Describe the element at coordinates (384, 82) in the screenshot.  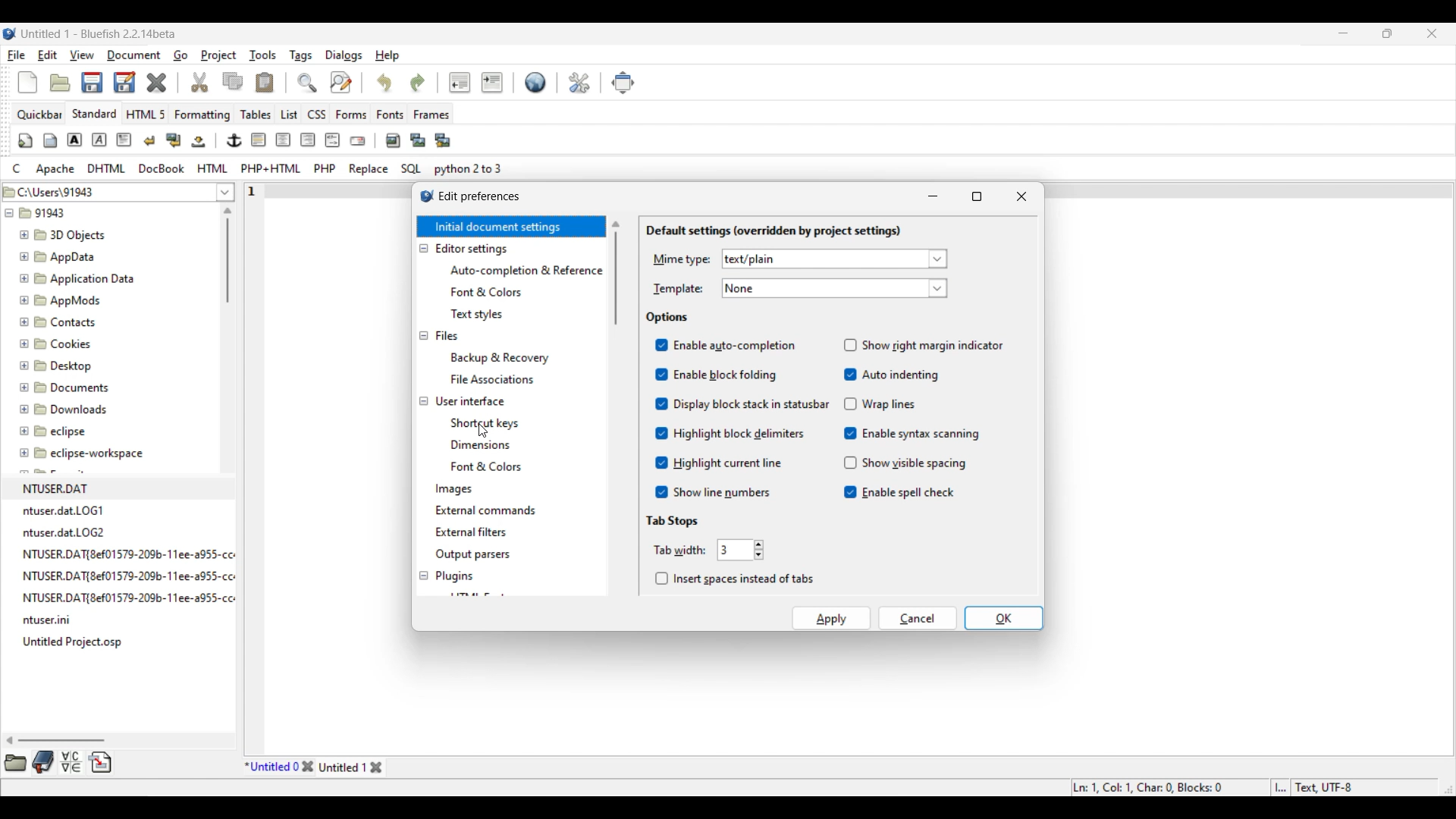
I see `Undo` at that location.